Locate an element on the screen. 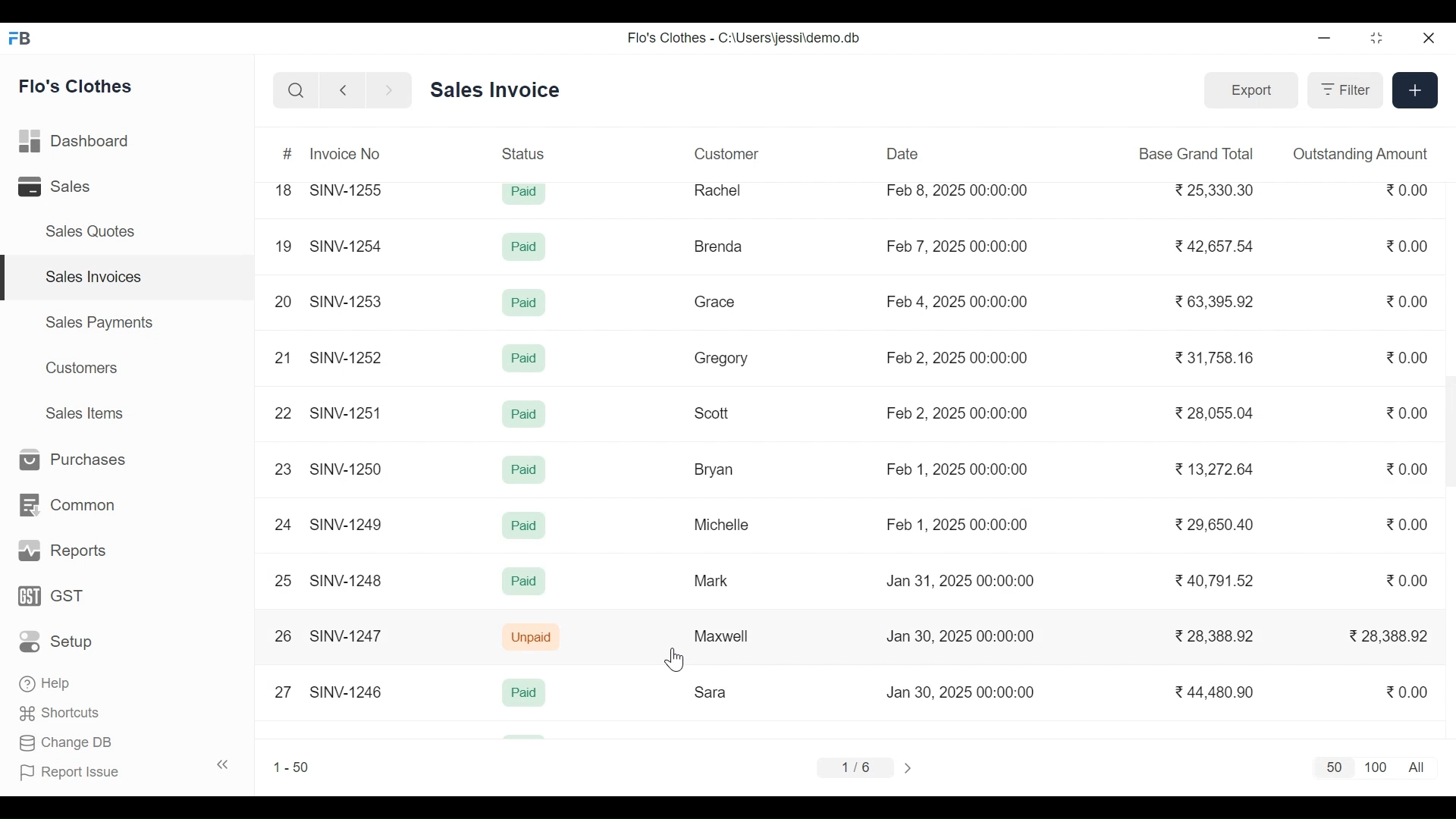 The width and height of the screenshot is (1456, 819). Go Forward is located at coordinates (385, 91).